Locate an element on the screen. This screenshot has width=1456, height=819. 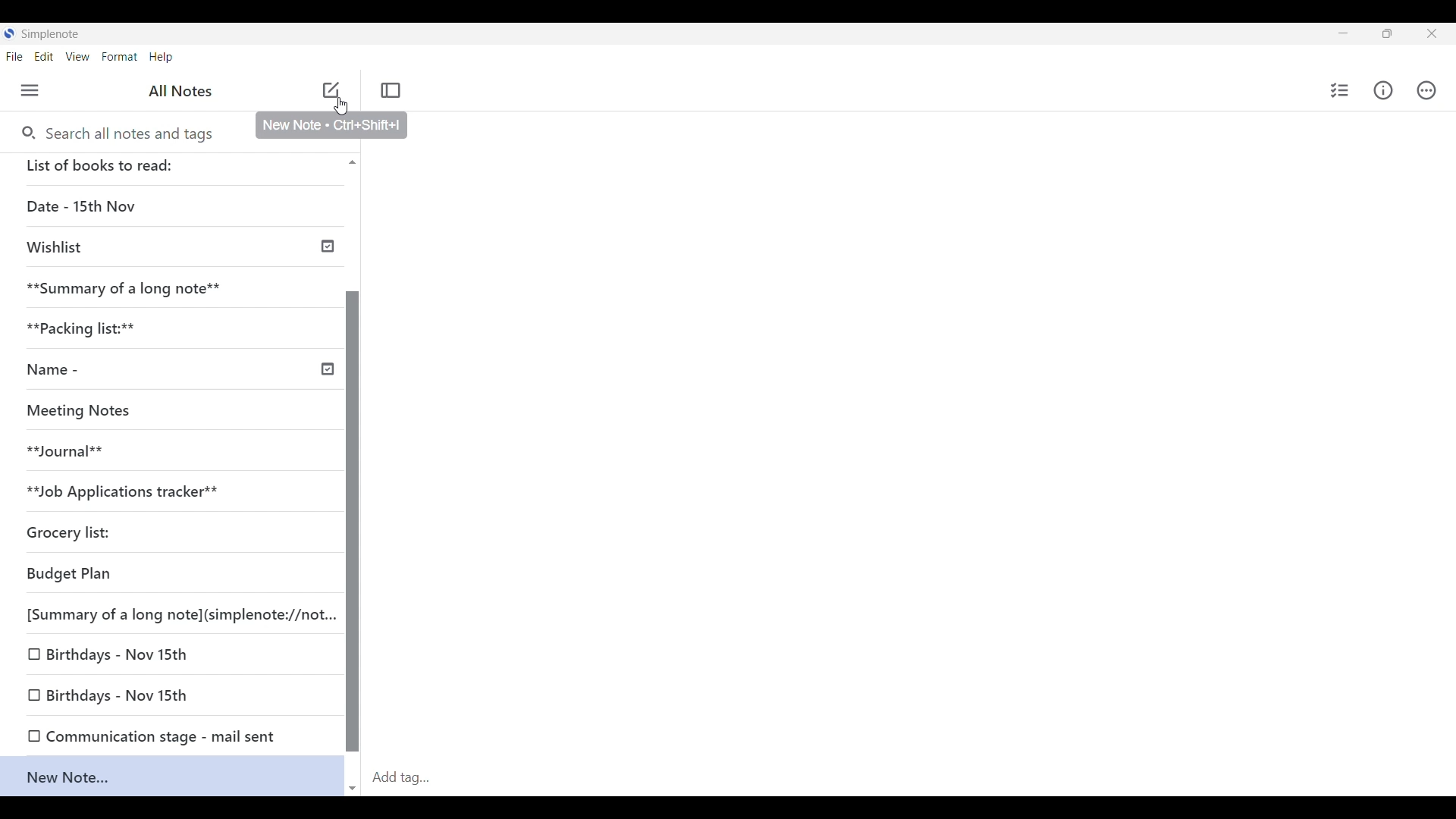
Help is located at coordinates (162, 58).